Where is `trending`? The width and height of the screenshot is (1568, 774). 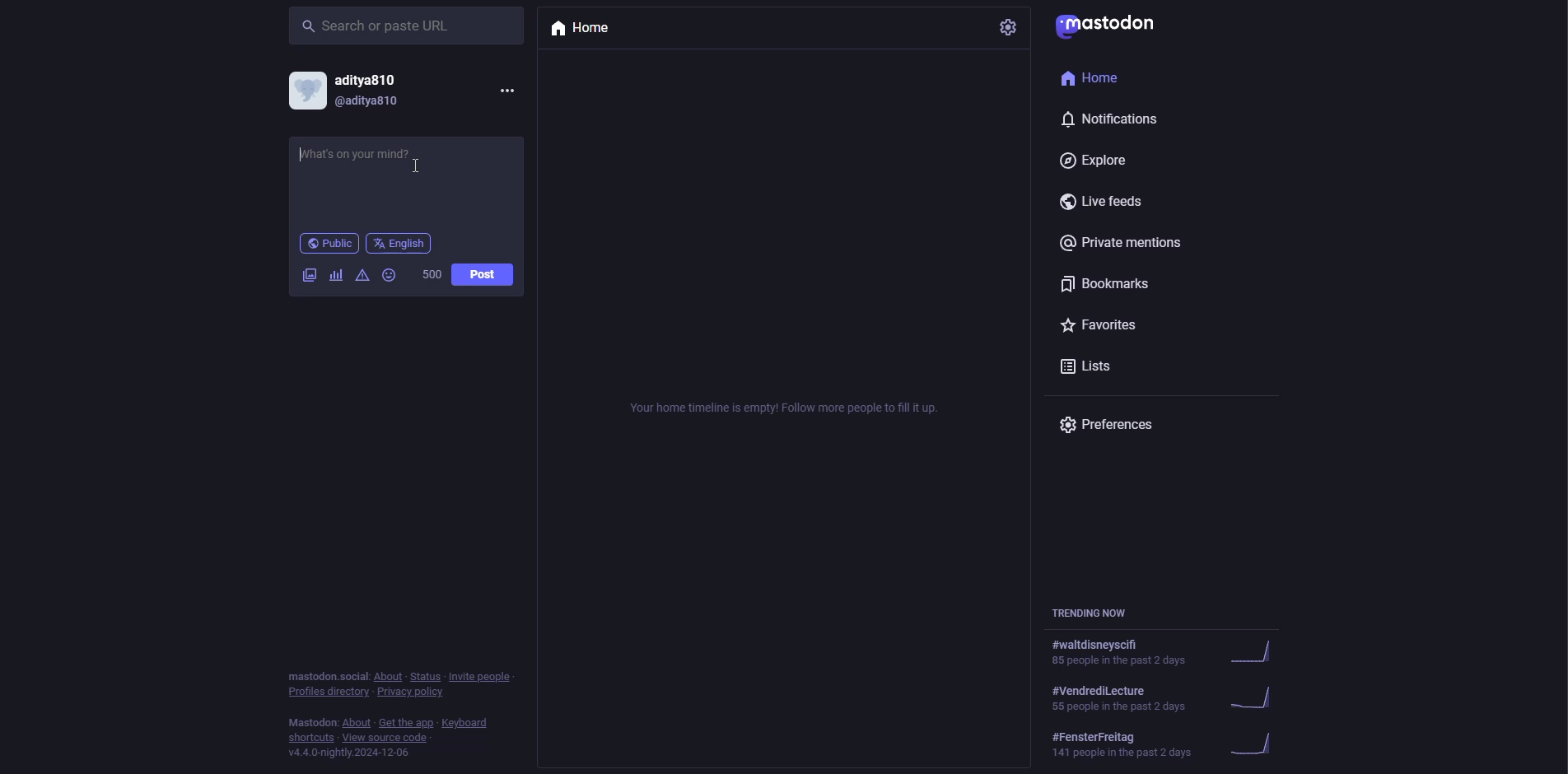
trending is located at coordinates (1169, 746).